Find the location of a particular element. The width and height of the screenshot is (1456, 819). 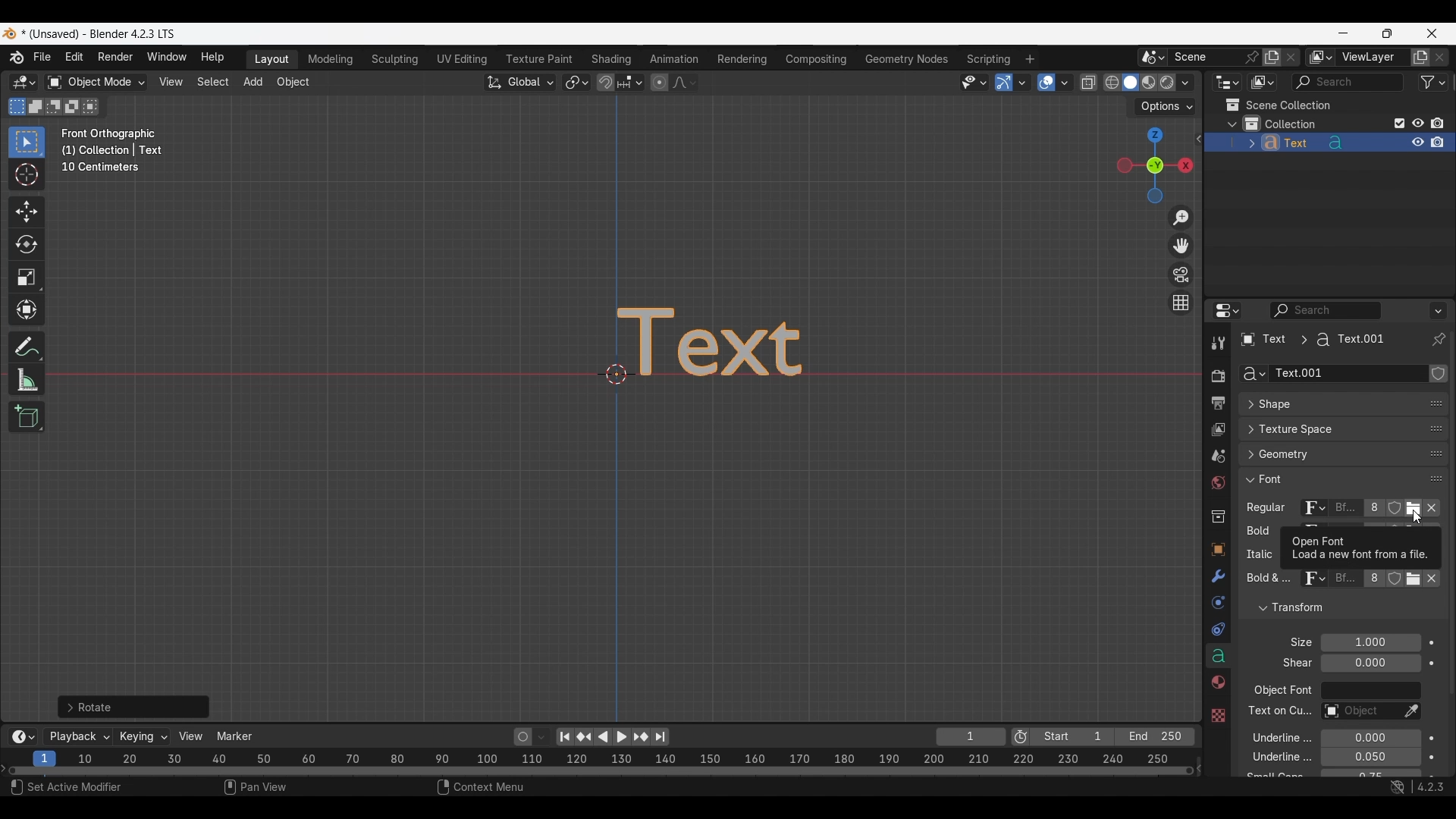

Object is located at coordinates (1217, 550).